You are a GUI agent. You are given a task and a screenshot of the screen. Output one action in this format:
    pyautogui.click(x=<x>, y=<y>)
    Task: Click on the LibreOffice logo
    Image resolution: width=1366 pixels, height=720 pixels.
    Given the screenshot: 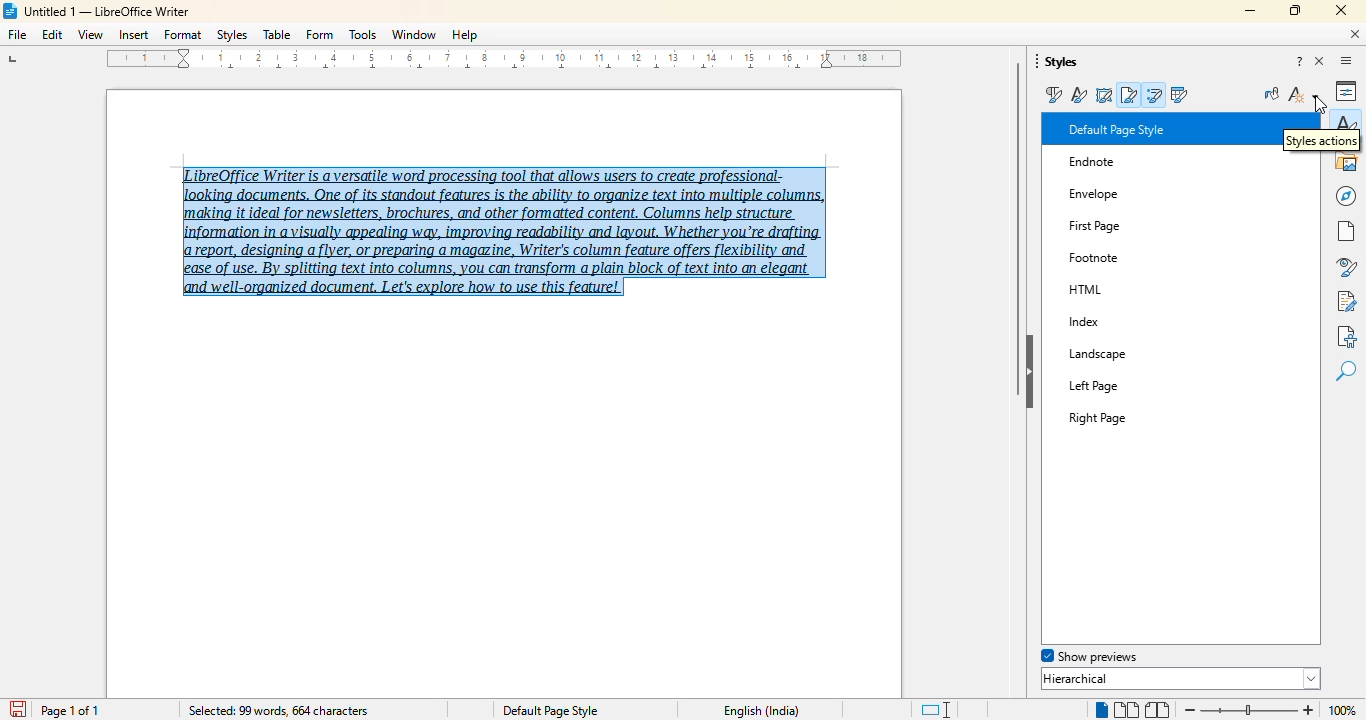 What is the action you would take?
    pyautogui.click(x=12, y=10)
    